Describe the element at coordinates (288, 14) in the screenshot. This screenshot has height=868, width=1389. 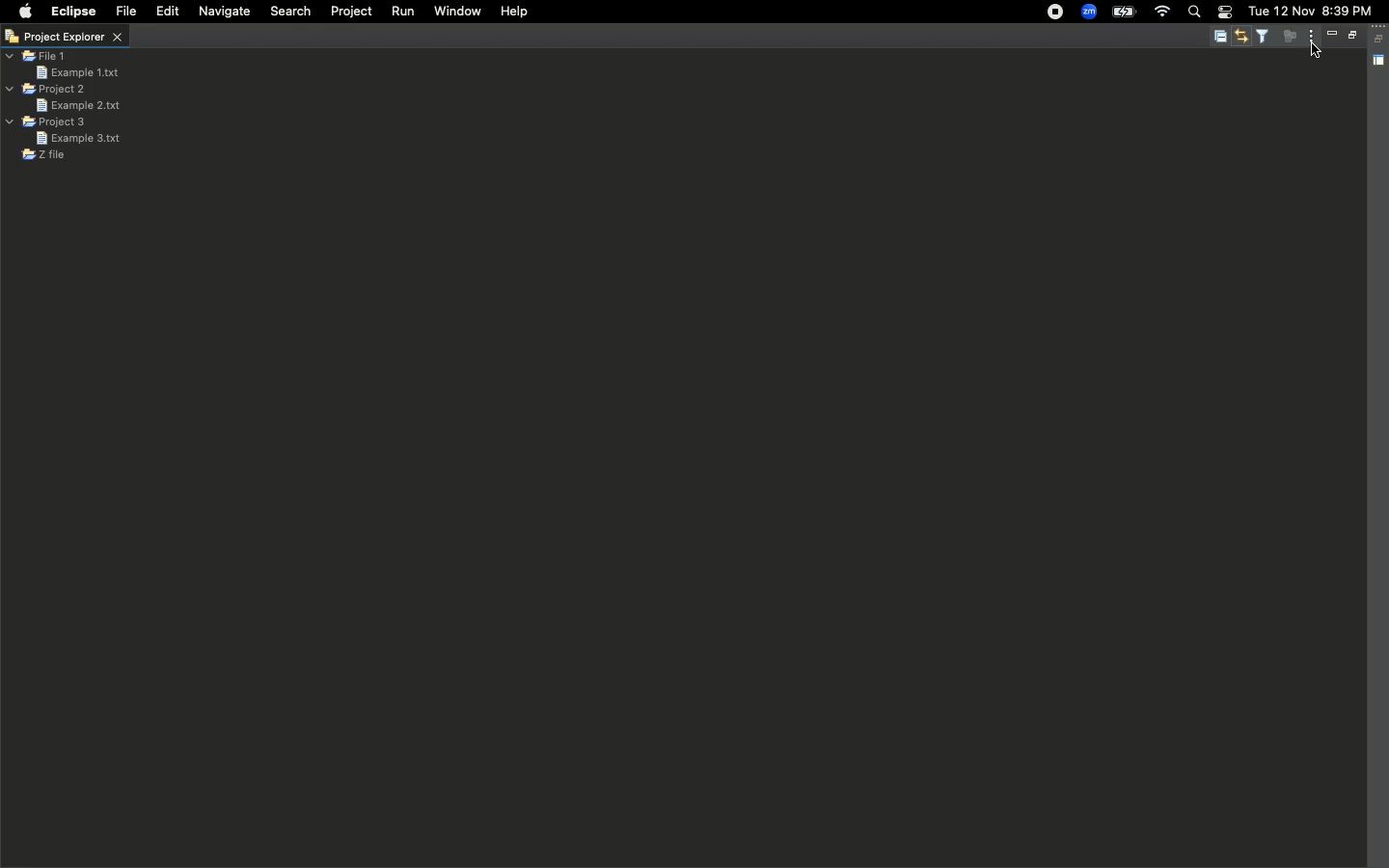
I see `Search` at that location.